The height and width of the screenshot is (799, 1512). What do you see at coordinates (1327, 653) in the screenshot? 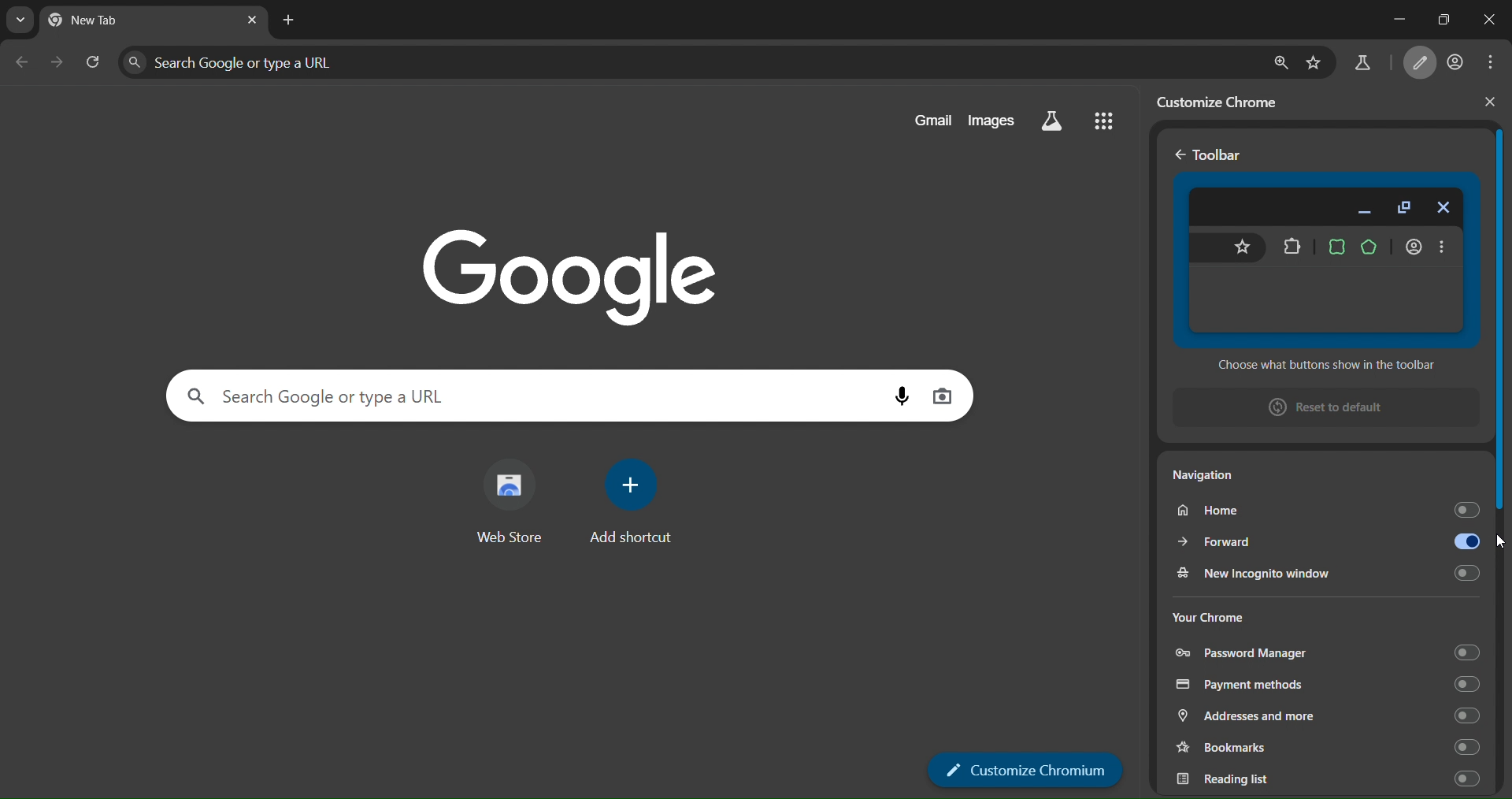
I see `password manager` at bounding box center [1327, 653].